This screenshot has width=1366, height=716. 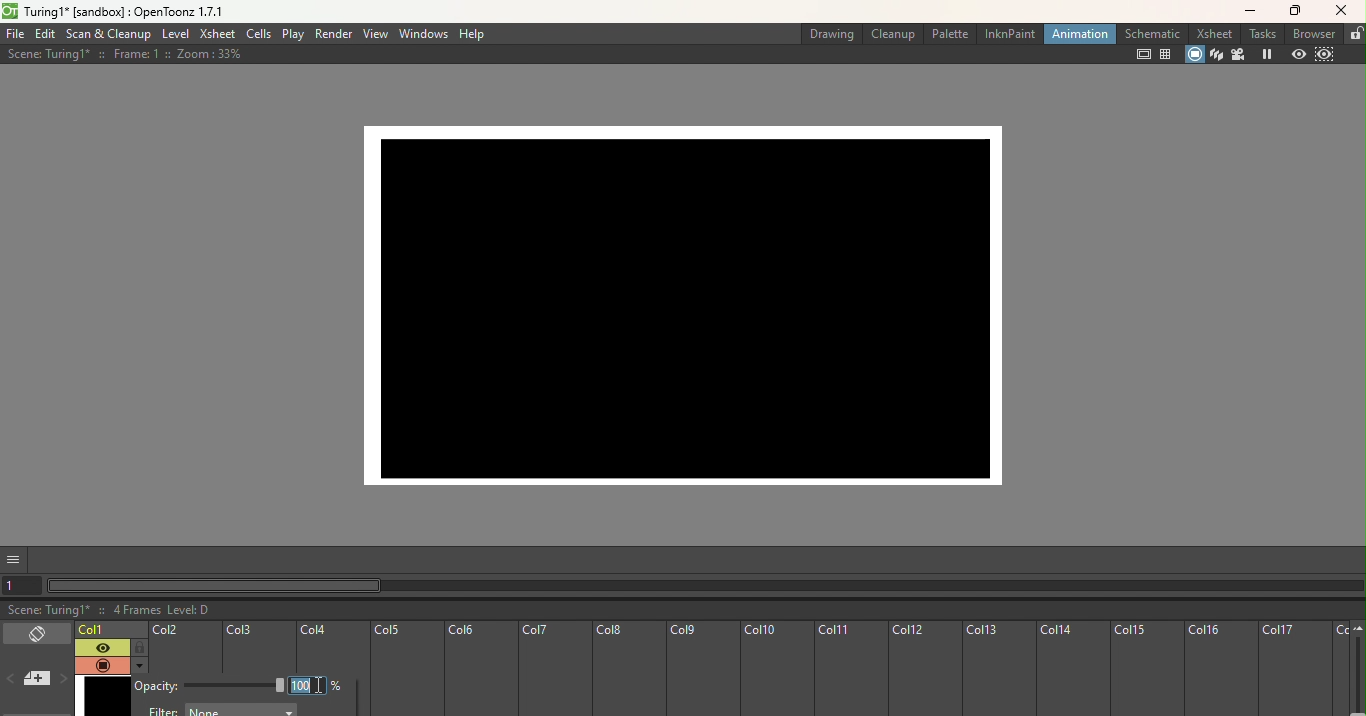 I want to click on Play, so click(x=293, y=35).